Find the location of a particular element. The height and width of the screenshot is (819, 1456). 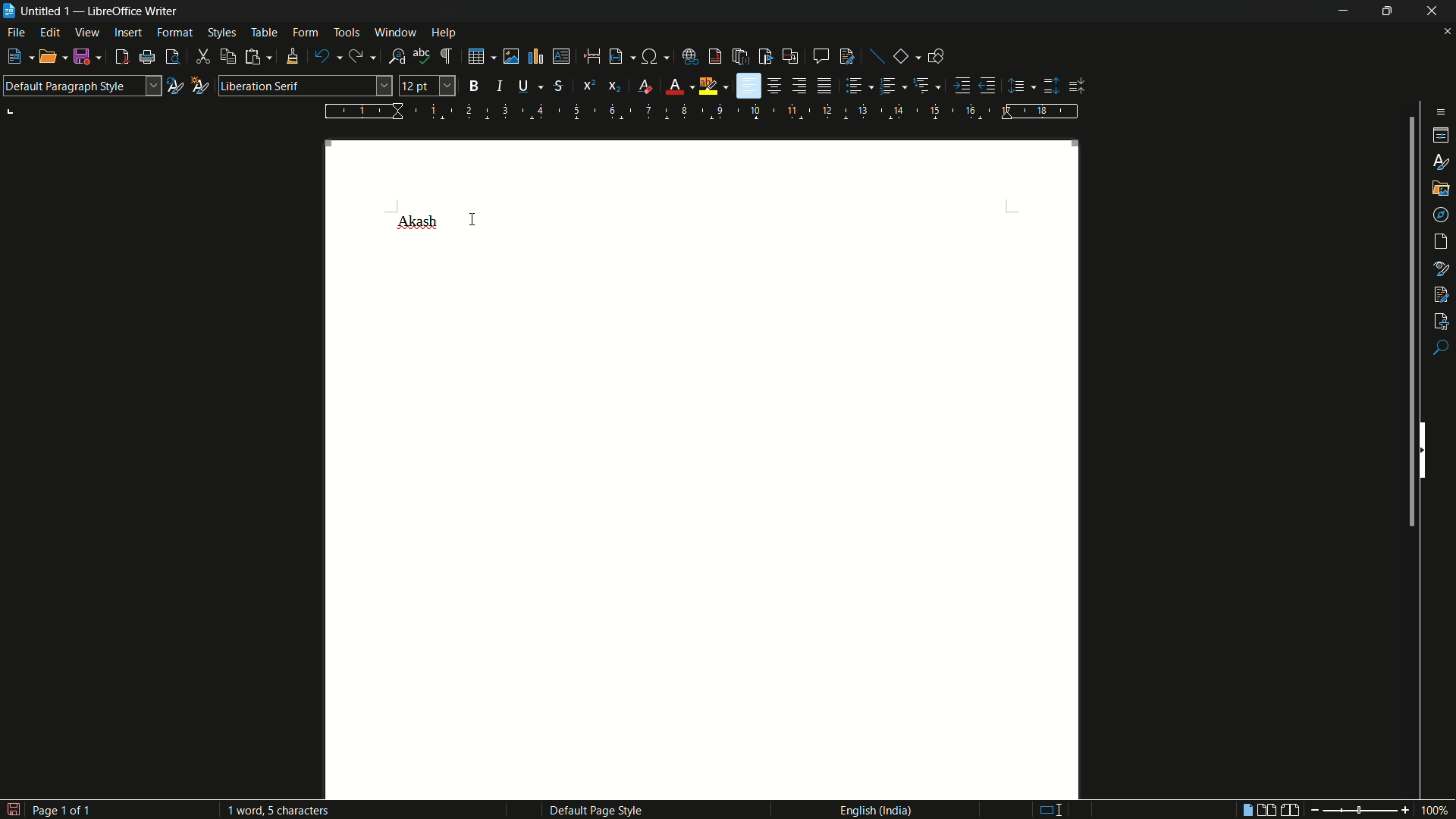

page style is located at coordinates (595, 810).